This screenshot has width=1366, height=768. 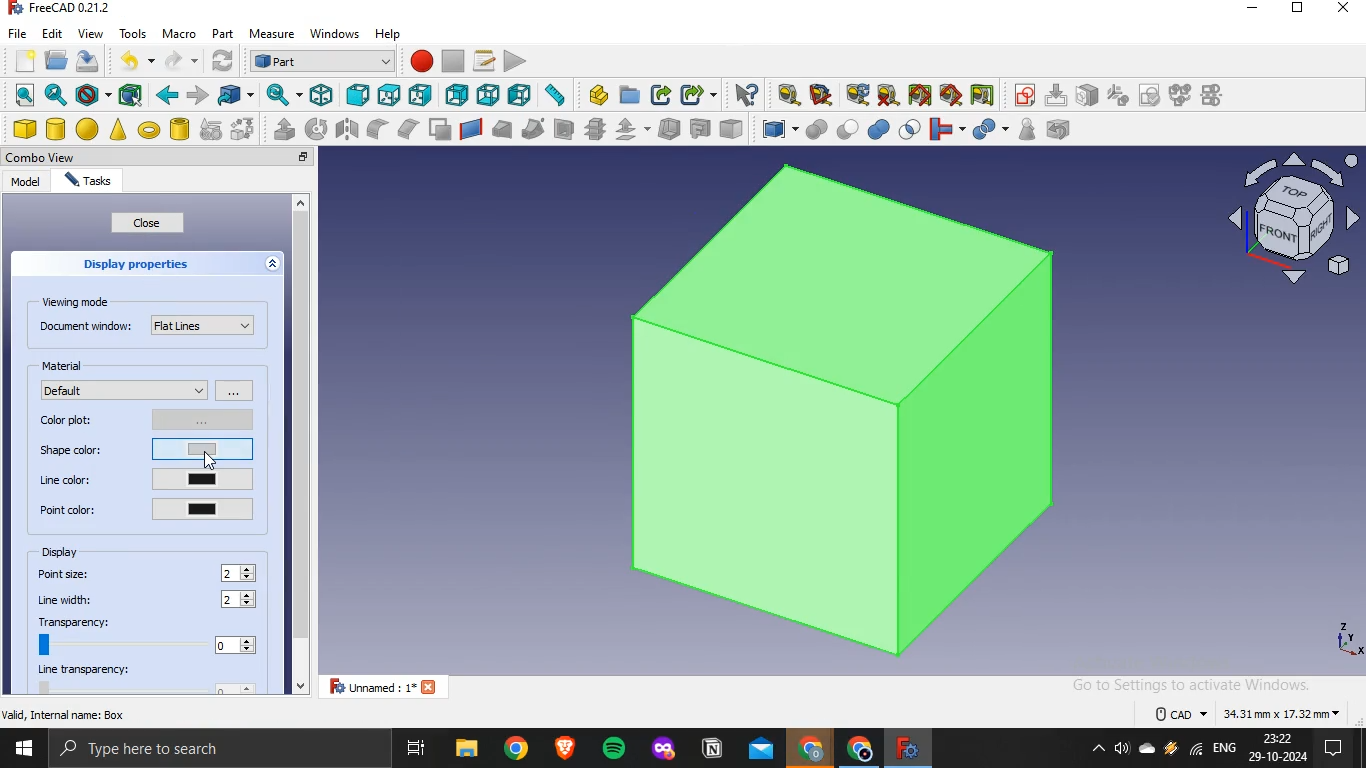 I want to click on default, so click(x=125, y=389).